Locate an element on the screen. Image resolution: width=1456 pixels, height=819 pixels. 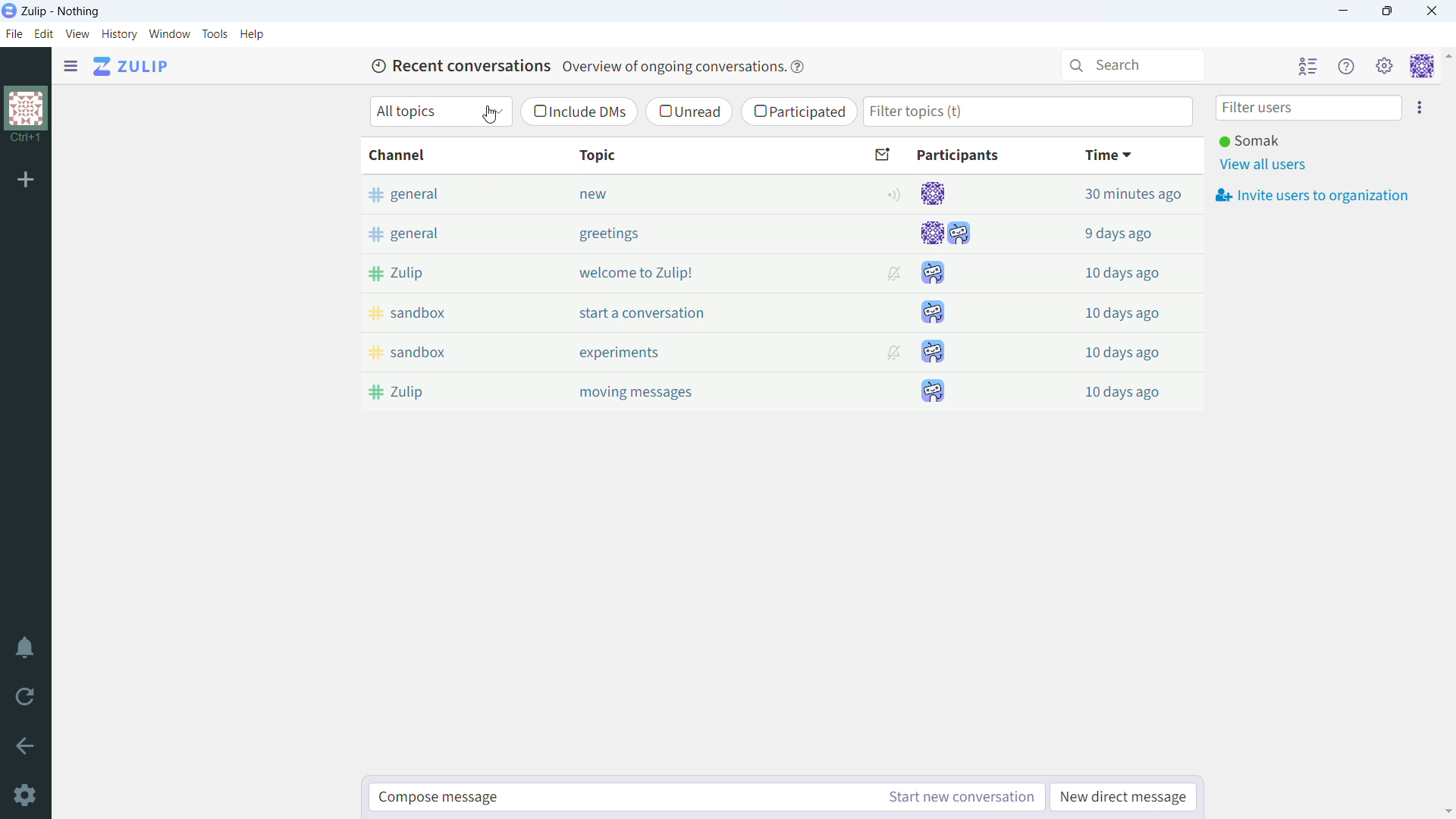
invite users is located at coordinates (1418, 106).